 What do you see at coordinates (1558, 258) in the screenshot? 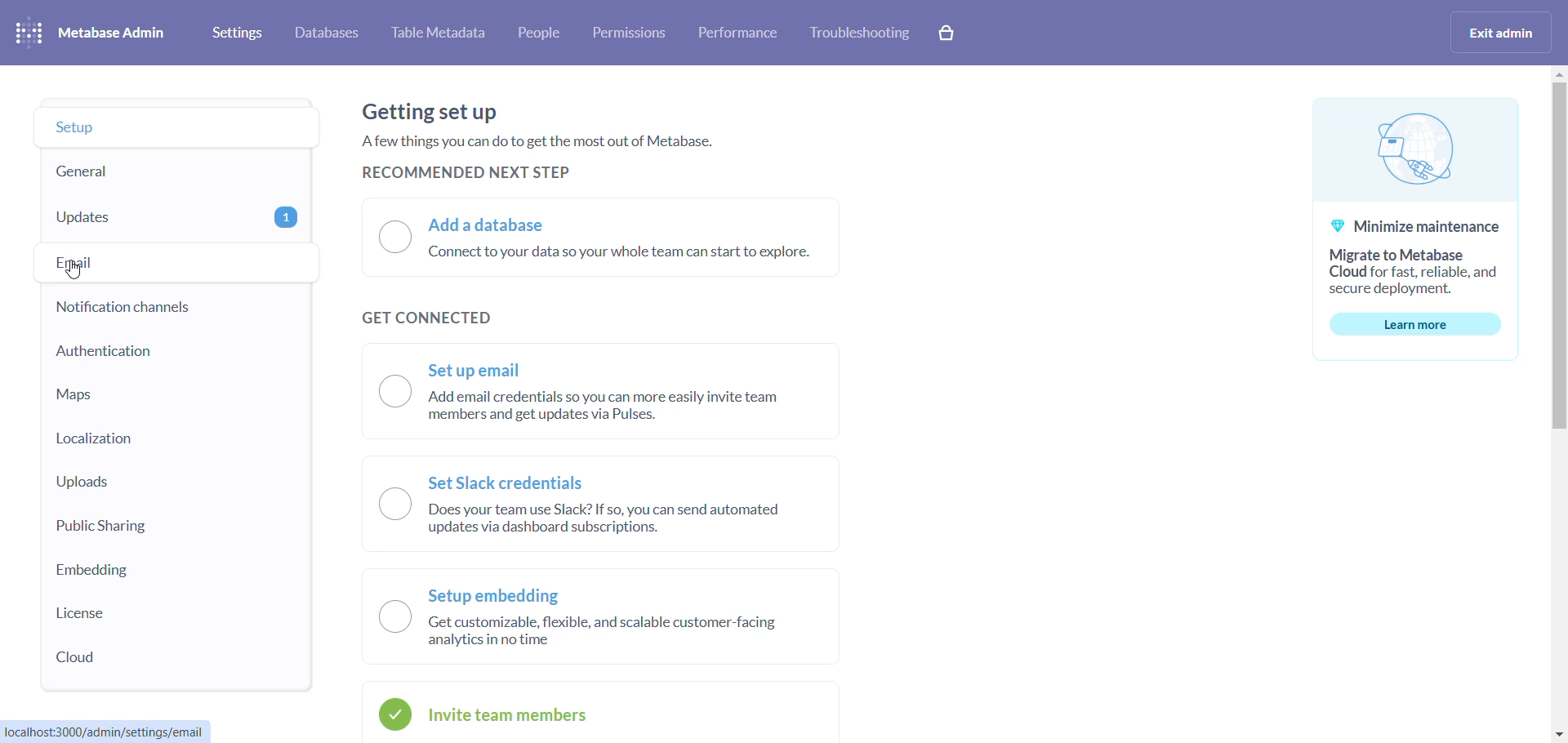
I see `scrollbar` at bounding box center [1558, 258].